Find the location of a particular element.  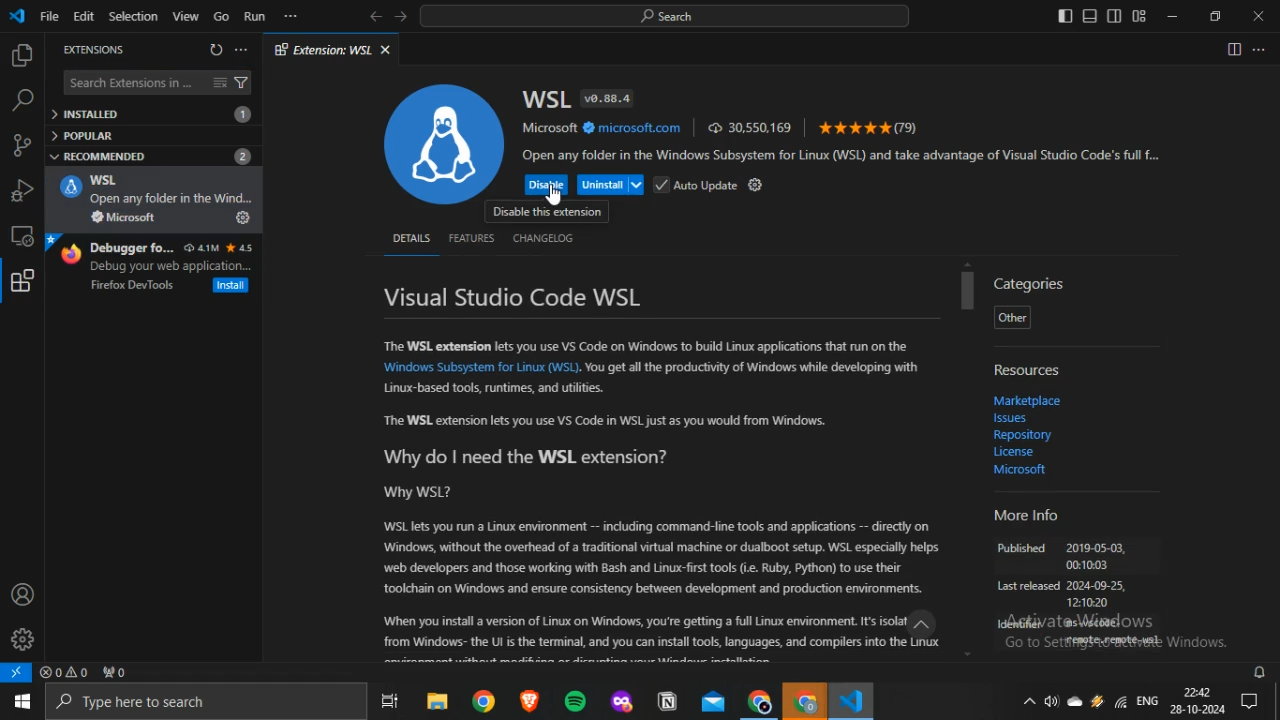

more options is located at coordinates (240, 49).